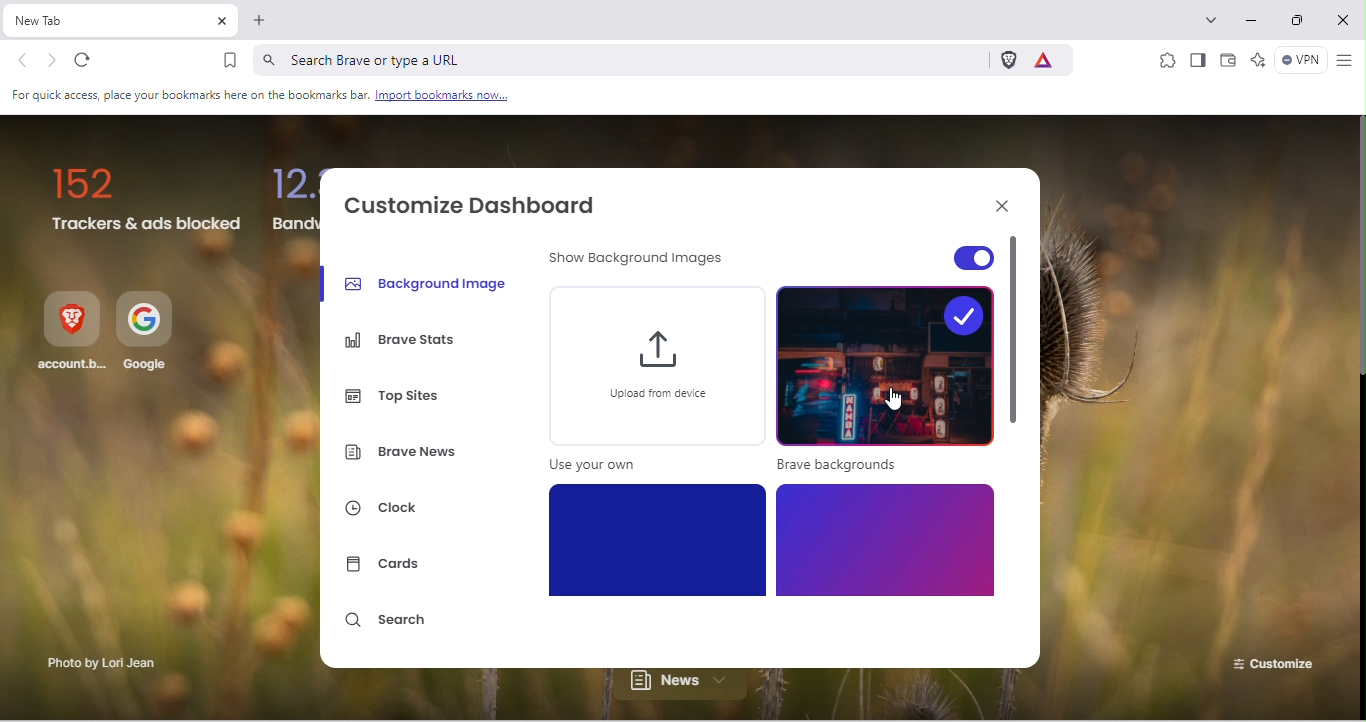 Image resolution: width=1366 pixels, height=722 pixels. What do you see at coordinates (147, 201) in the screenshot?
I see `152 Trackers & ads blocked` at bounding box center [147, 201].